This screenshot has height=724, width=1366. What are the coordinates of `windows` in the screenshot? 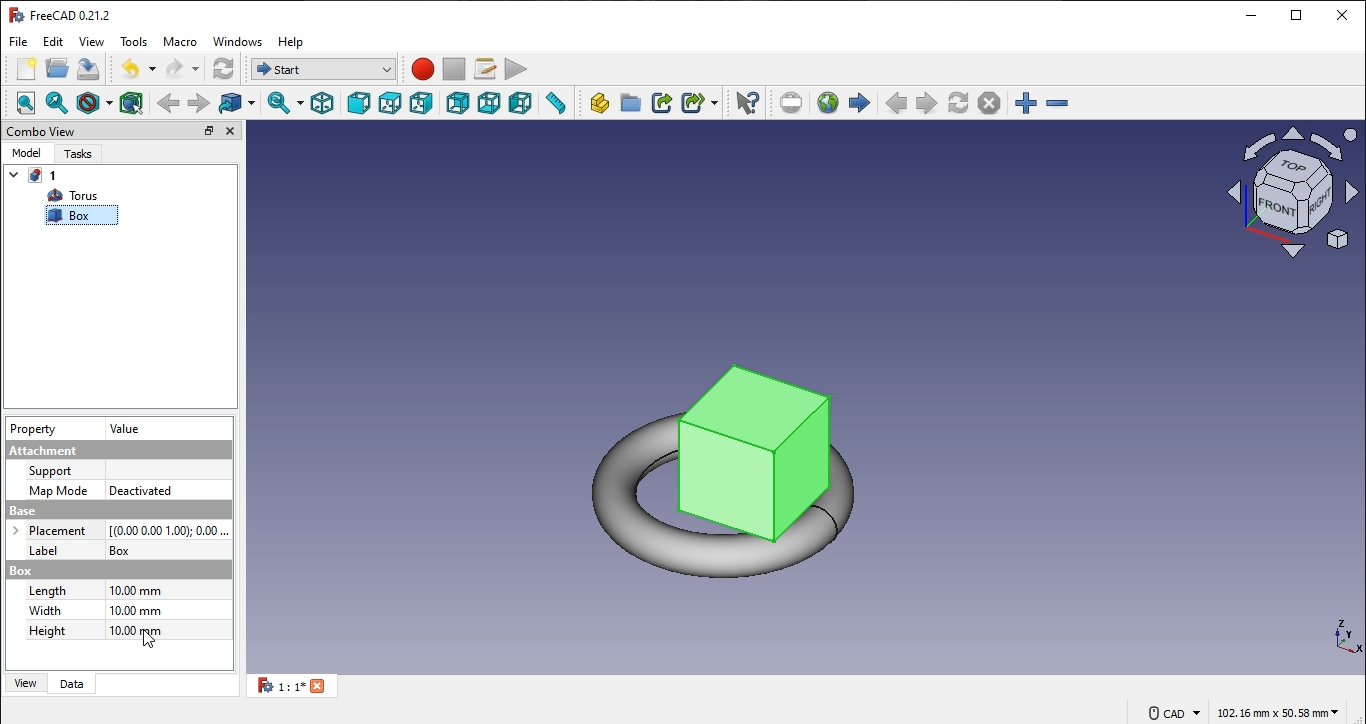 It's located at (239, 43).